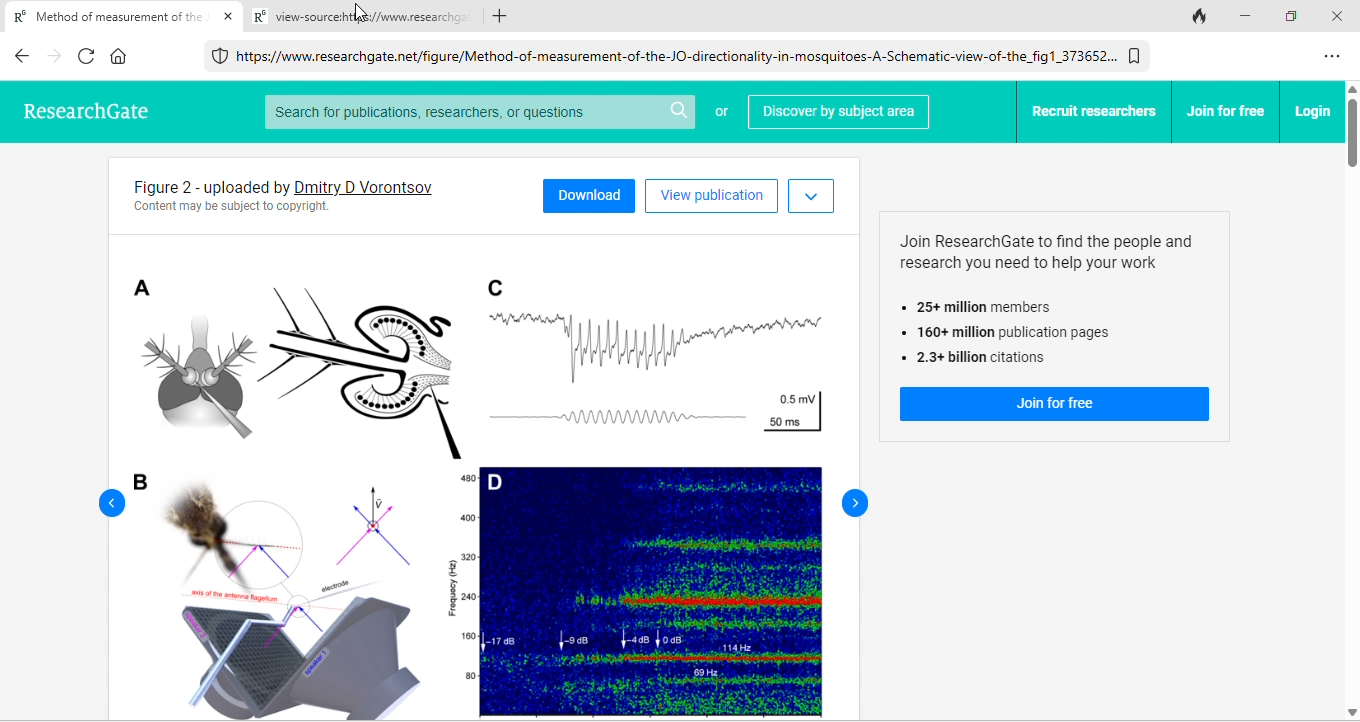  Describe the element at coordinates (1289, 14) in the screenshot. I see `maximize` at that location.